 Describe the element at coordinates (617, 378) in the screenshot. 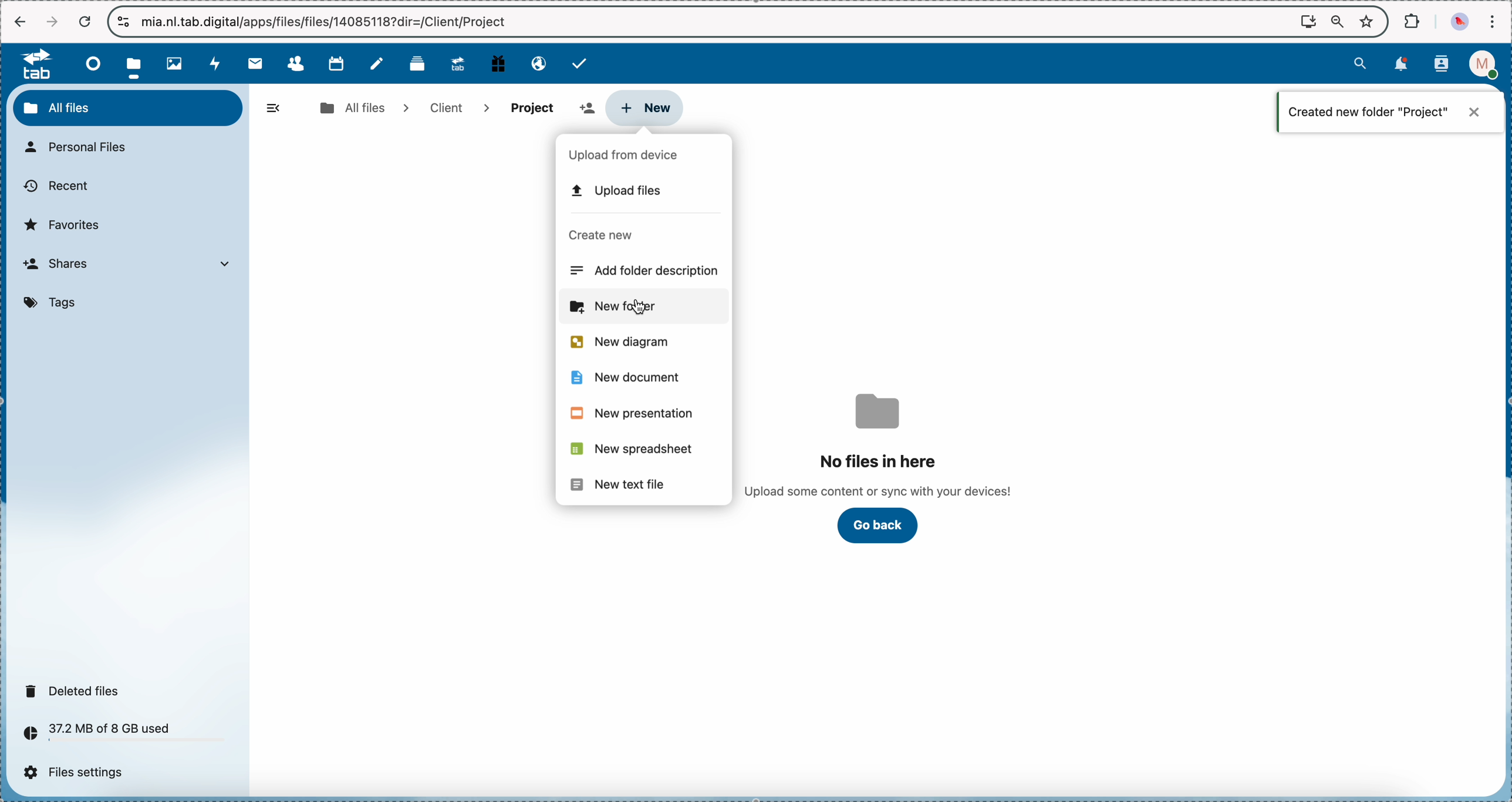

I see `new document` at that location.